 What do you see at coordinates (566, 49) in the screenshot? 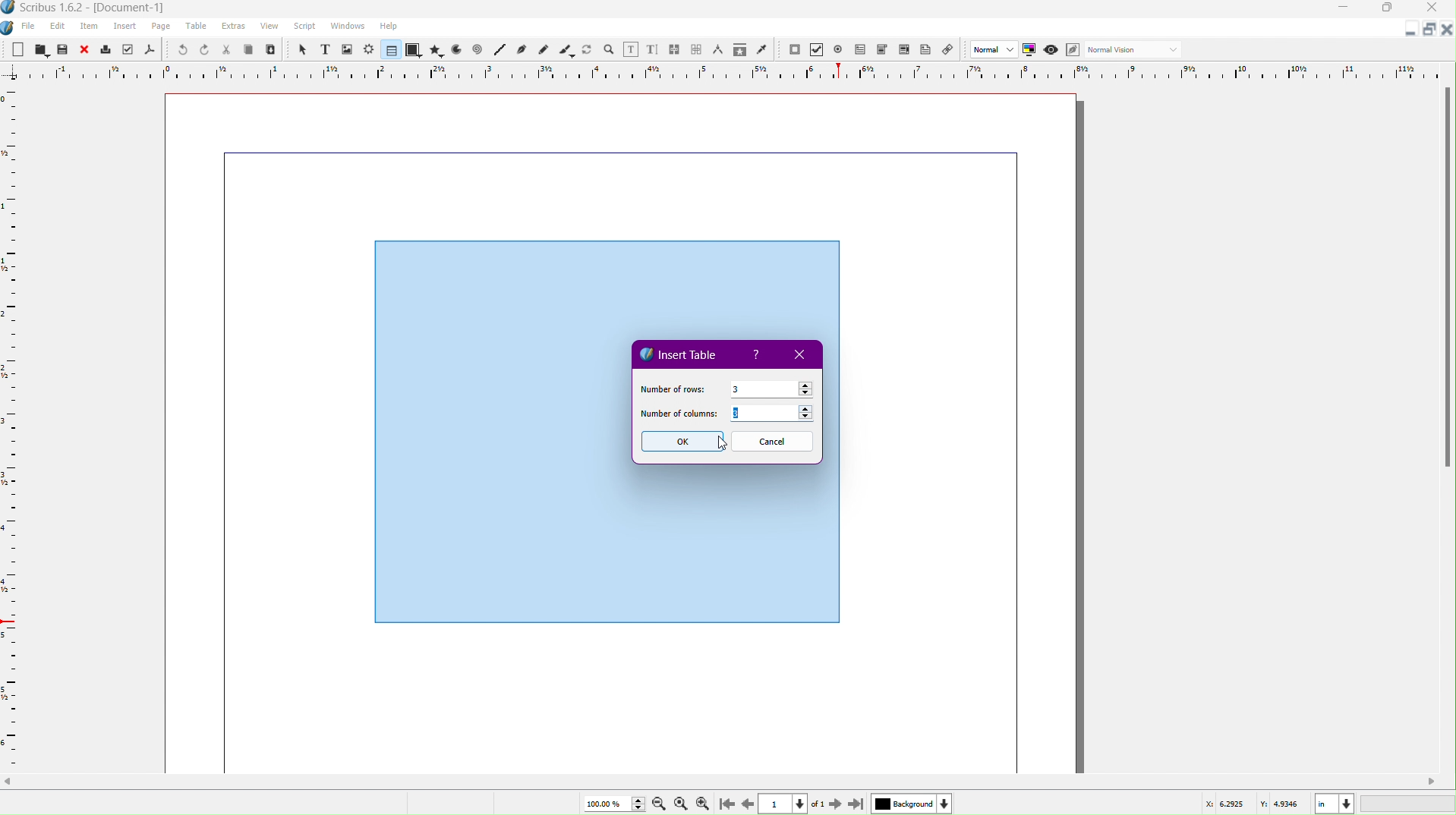
I see `Calligraphic Line` at bounding box center [566, 49].